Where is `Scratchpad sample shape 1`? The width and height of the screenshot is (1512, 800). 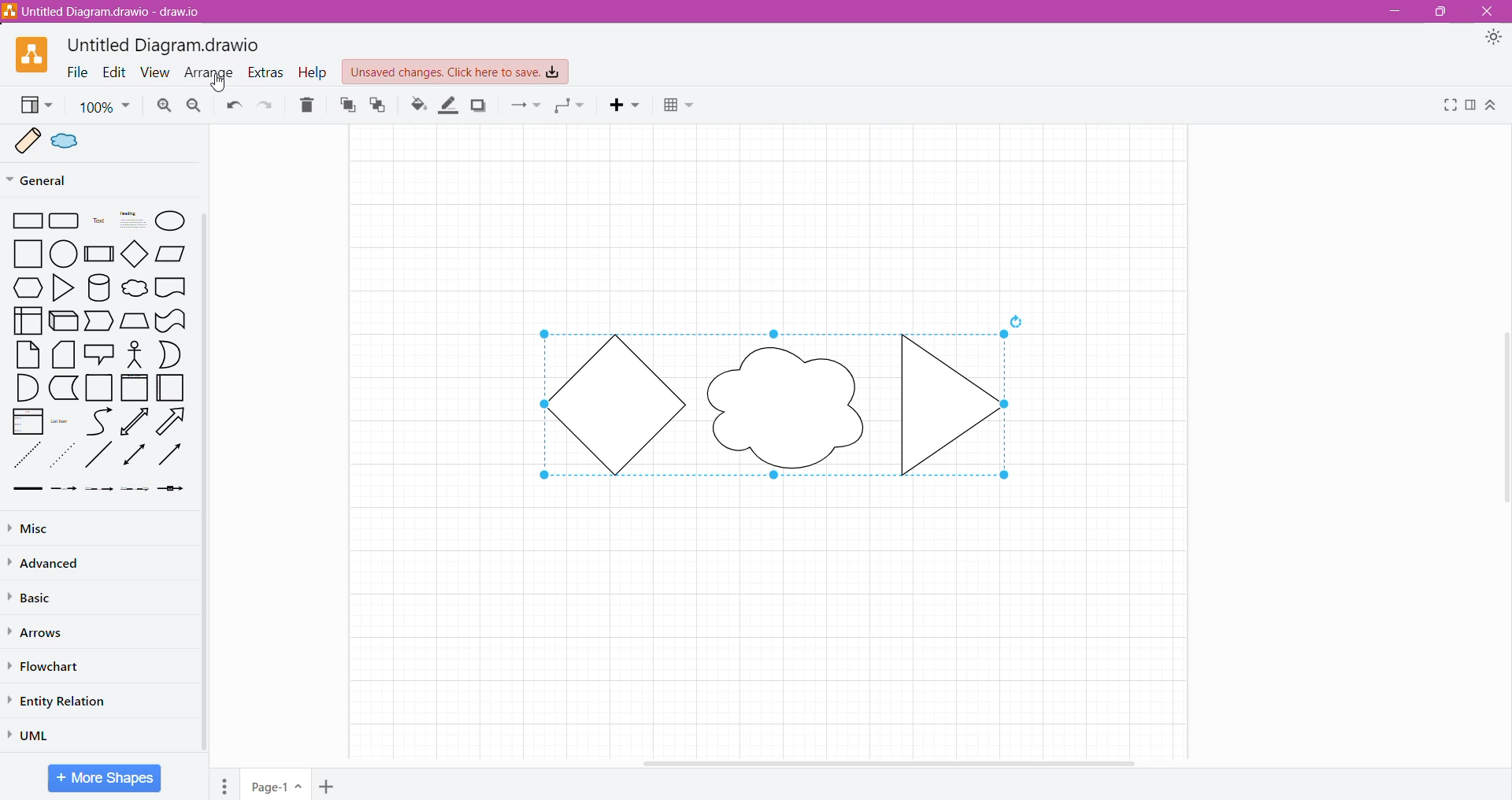 Scratchpad sample shape 1 is located at coordinates (28, 141).